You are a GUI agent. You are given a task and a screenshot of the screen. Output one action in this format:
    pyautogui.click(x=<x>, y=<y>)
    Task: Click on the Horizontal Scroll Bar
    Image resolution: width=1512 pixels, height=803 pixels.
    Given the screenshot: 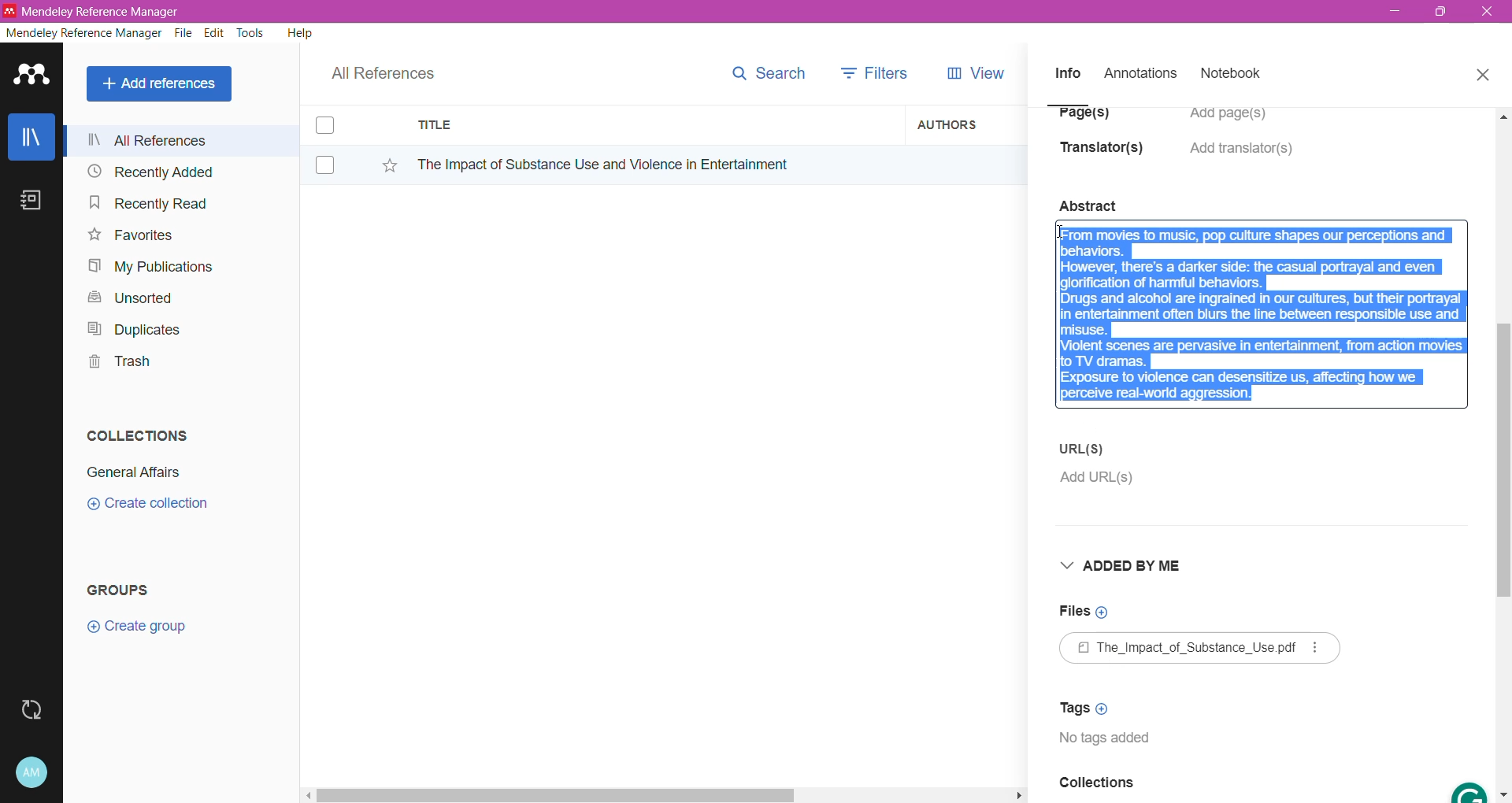 What is the action you would take?
    pyautogui.click(x=662, y=794)
    